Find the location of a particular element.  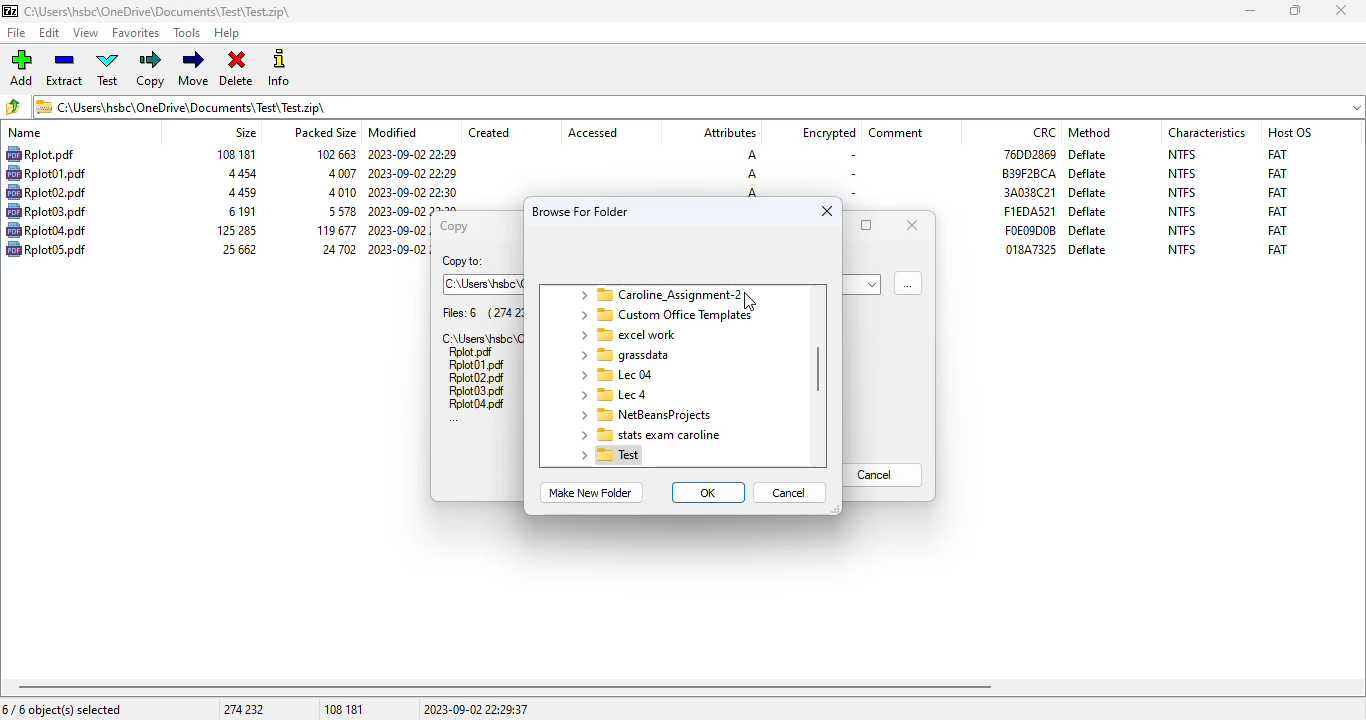

file is located at coordinates (46, 248).